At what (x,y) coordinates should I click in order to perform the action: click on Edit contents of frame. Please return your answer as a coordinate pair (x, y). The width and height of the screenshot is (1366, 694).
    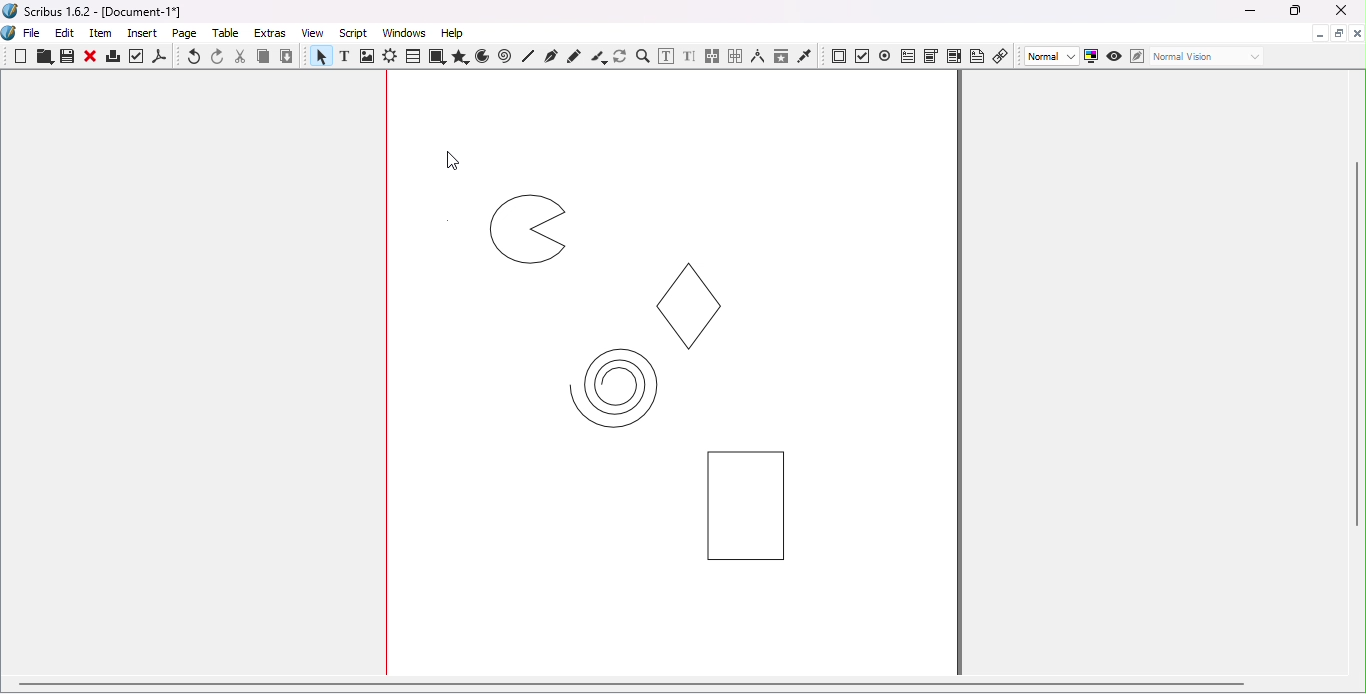
    Looking at the image, I should click on (665, 56).